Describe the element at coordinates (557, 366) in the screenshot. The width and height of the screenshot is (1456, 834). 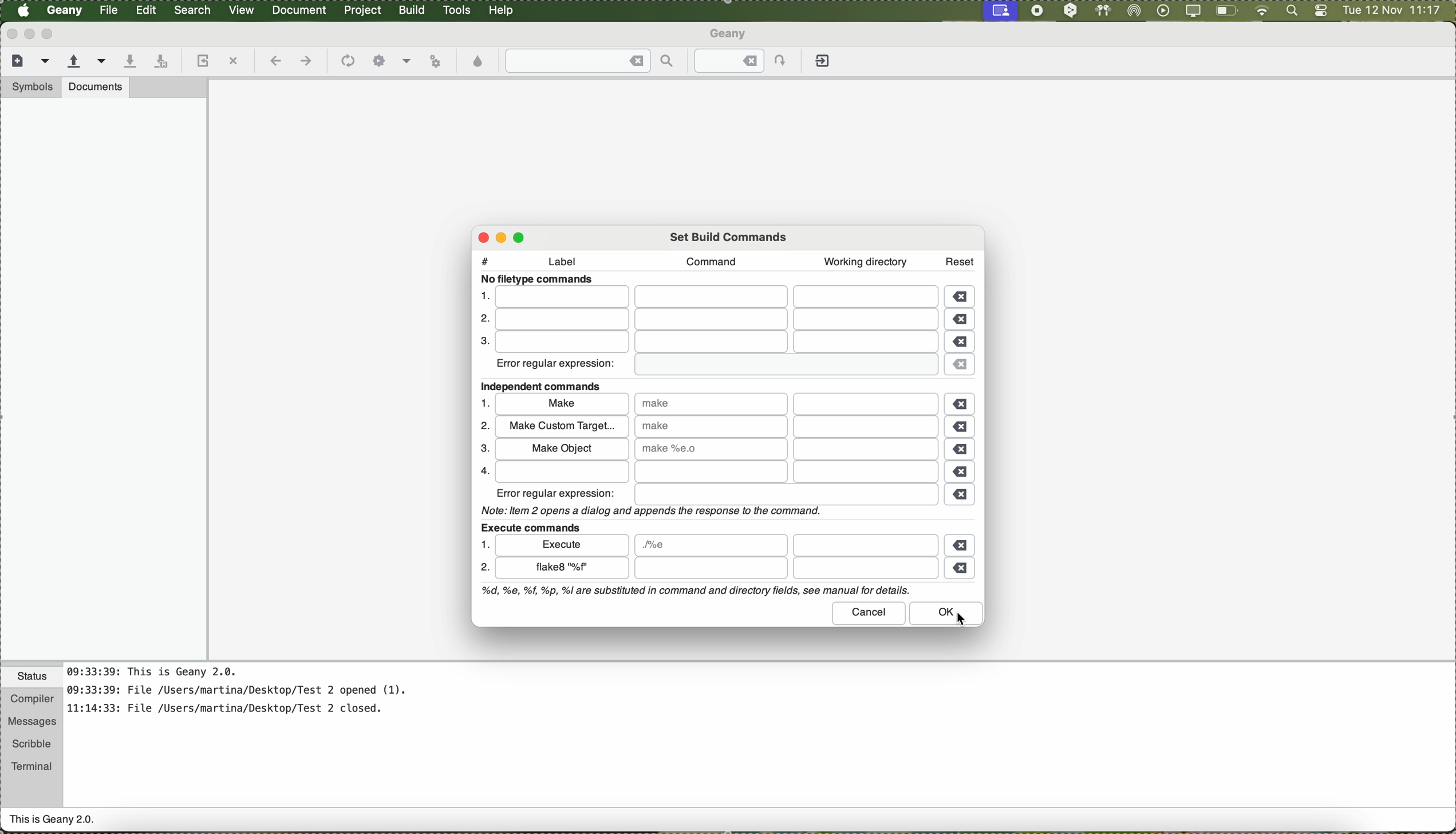
I see `error regular expression` at that location.